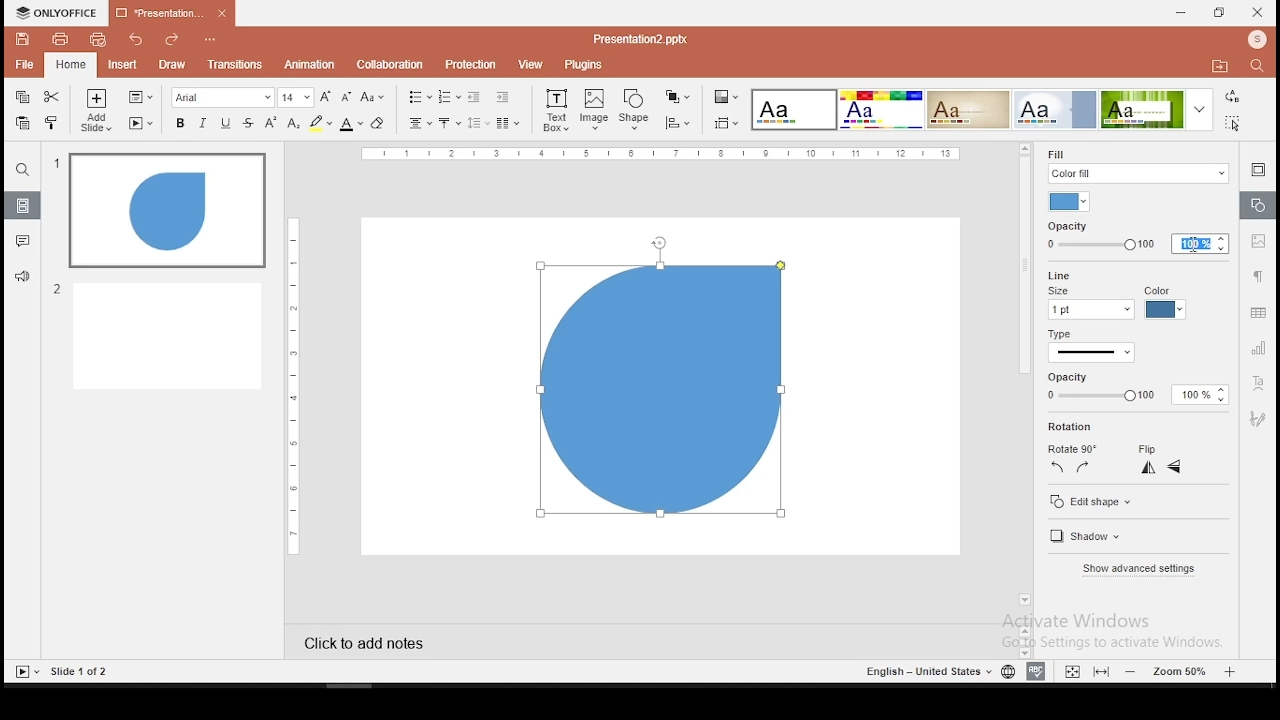 The height and width of the screenshot is (720, 1280). Describe the element at coordinates (294, 123) in the screenshot. I see `subscript` at that location.